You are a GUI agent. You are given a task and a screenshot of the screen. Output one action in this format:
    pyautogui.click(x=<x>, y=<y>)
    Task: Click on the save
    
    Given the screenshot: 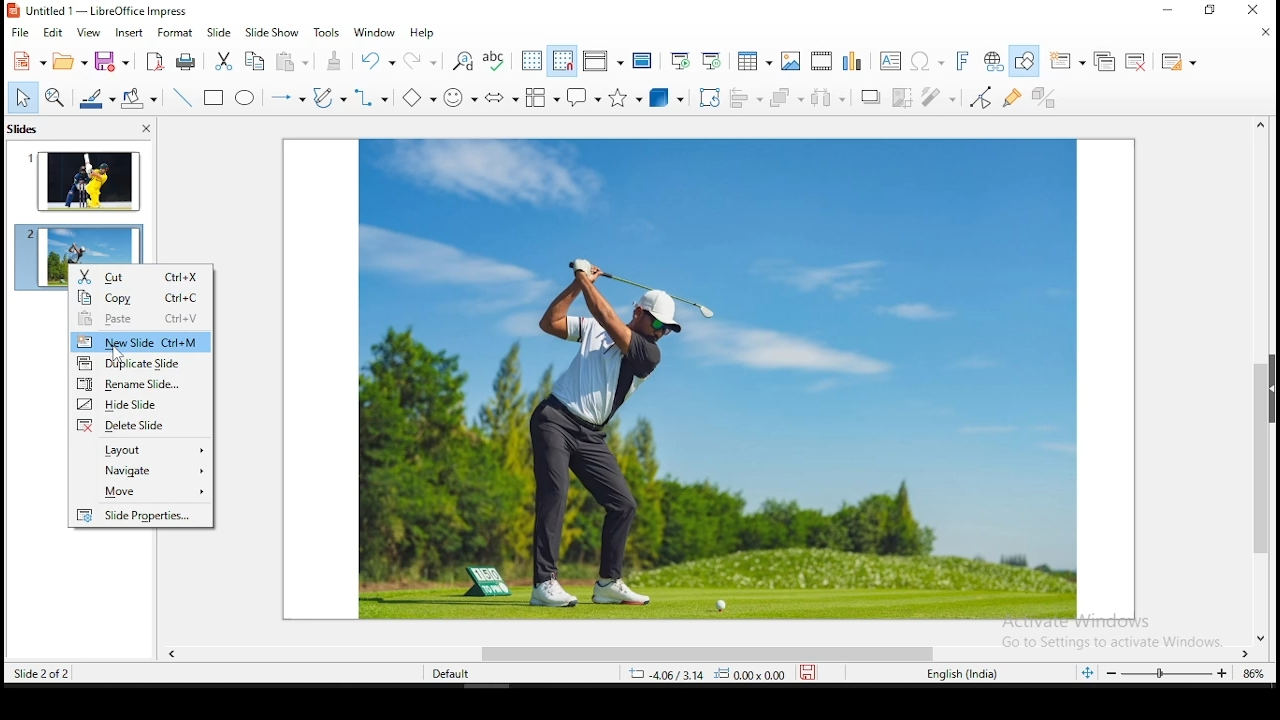 What is the action you would take?
    pyautogui.click(x=811, y=671)
    